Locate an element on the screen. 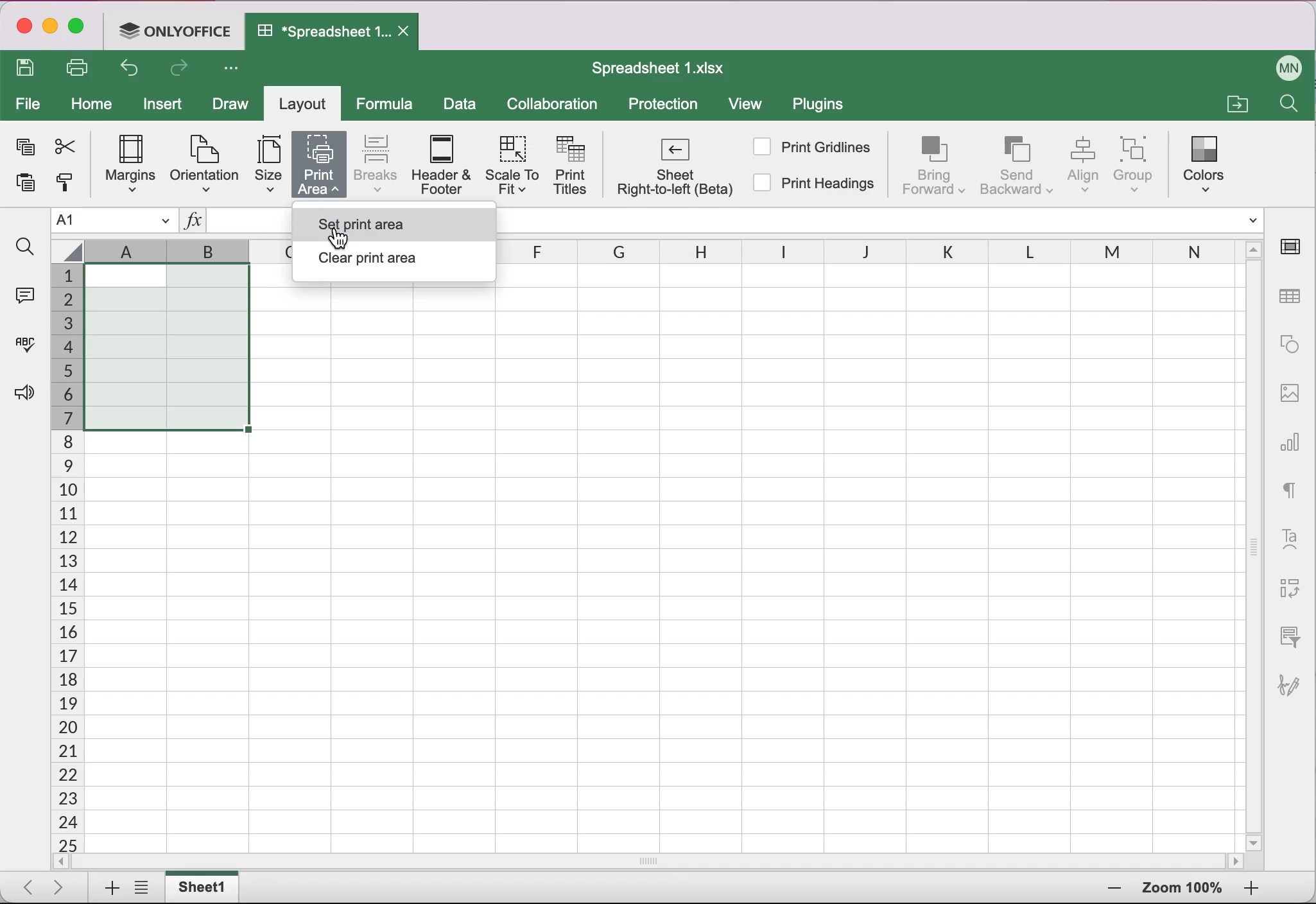 The height and width of the screenshot is (904, 1316). protection is located at coordinates (664, 105).